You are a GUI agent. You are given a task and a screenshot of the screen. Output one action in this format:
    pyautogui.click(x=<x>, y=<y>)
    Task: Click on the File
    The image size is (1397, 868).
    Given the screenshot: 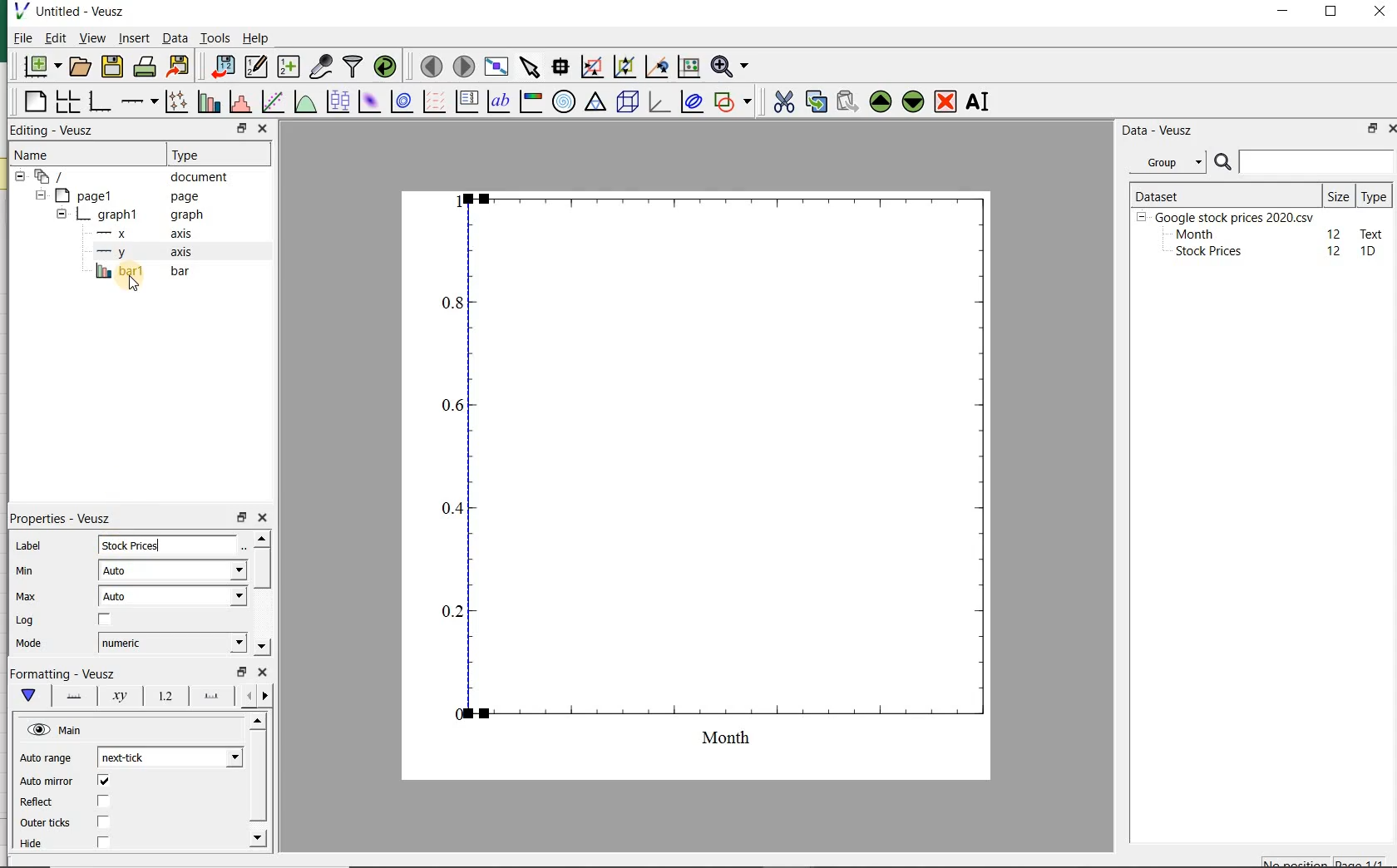 What is the action you would take?
    pyautogui.click(x=18, y=40)
    